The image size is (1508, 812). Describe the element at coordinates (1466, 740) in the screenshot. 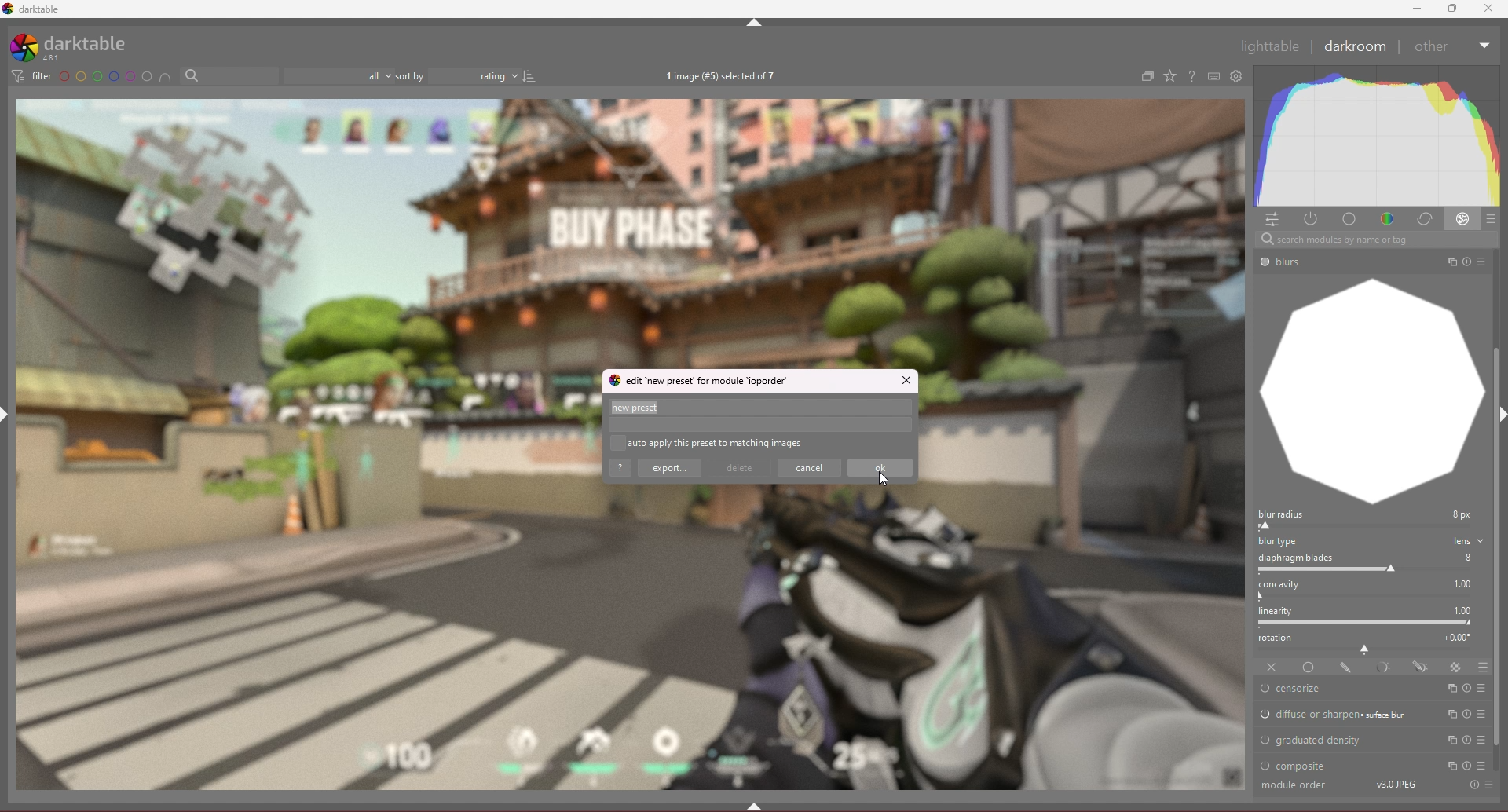

I see `reset` at that location.